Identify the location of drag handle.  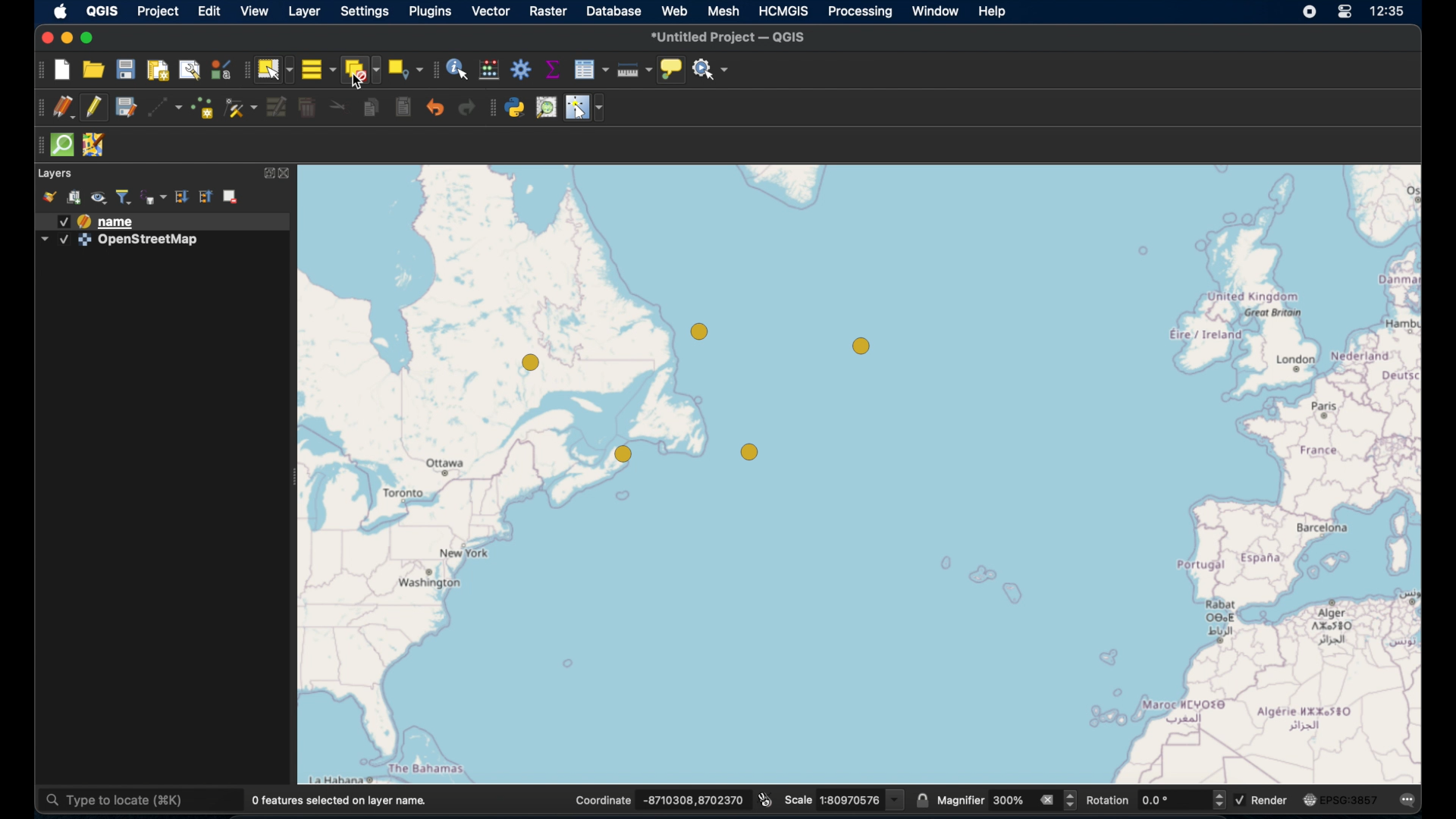
(36, 146).